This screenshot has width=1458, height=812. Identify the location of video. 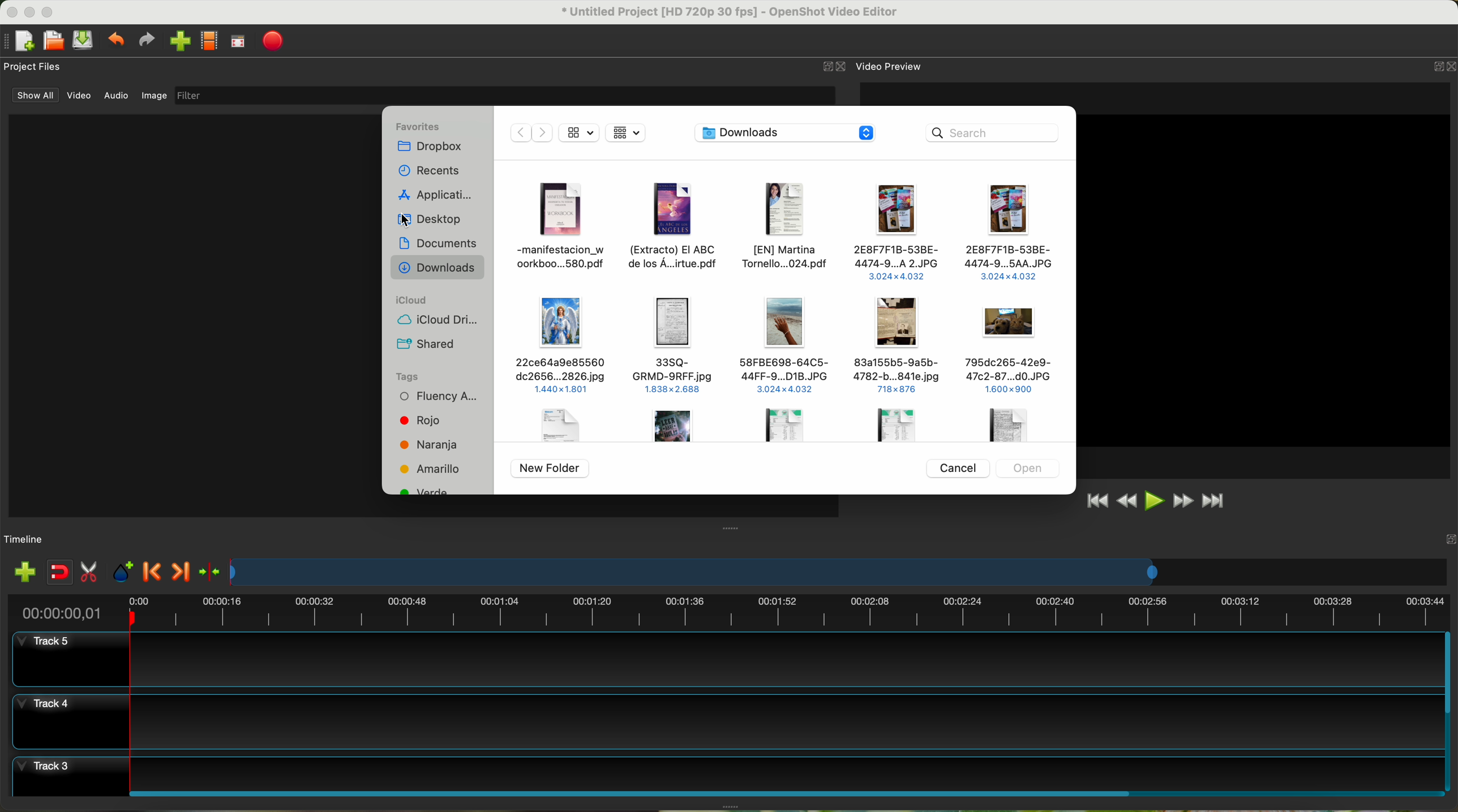
(80, 96).